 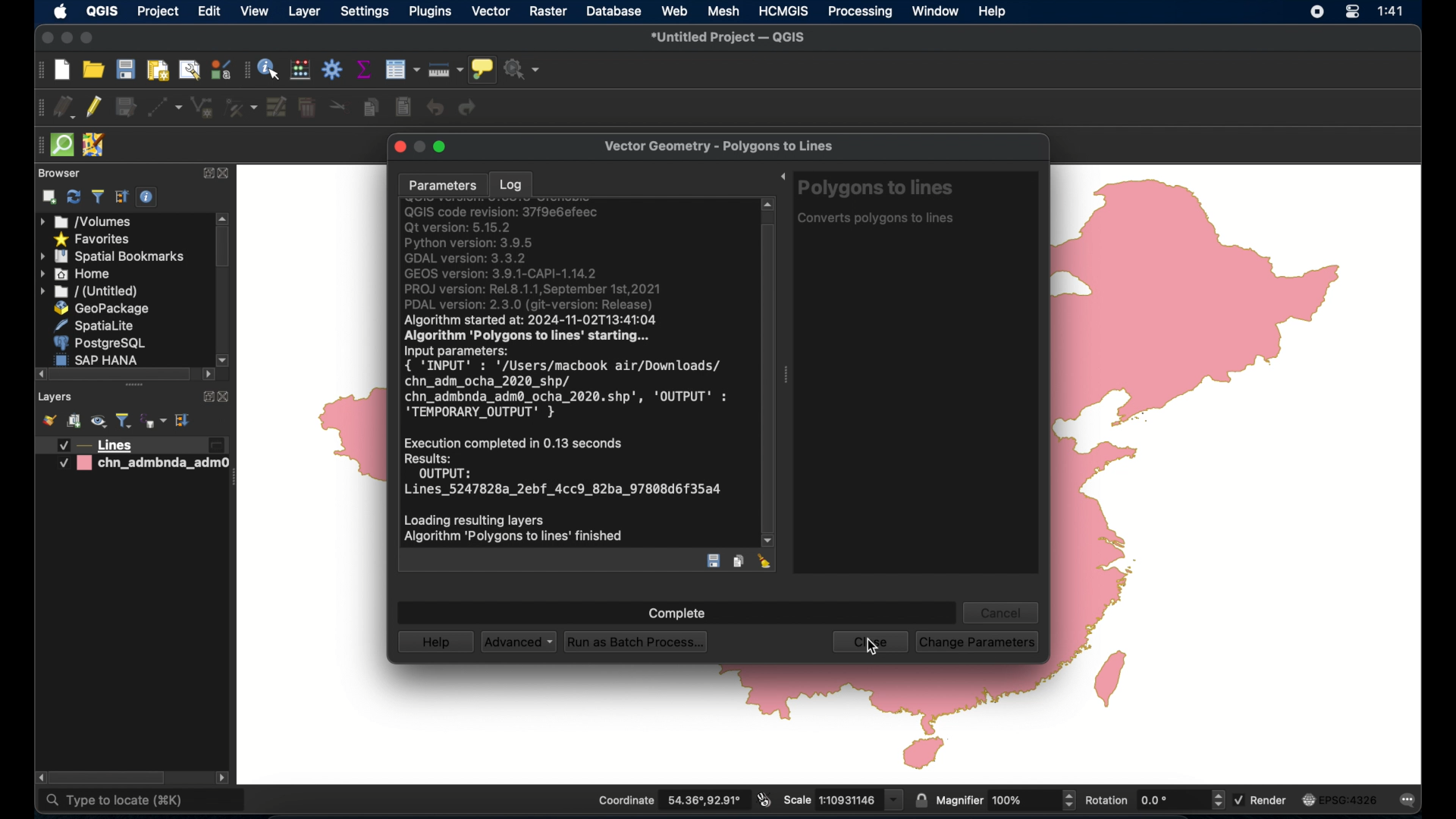 What do you see at coordinates (124, 420) in the screenshot?
I see `filter legend` at bounding box center [124, 420].